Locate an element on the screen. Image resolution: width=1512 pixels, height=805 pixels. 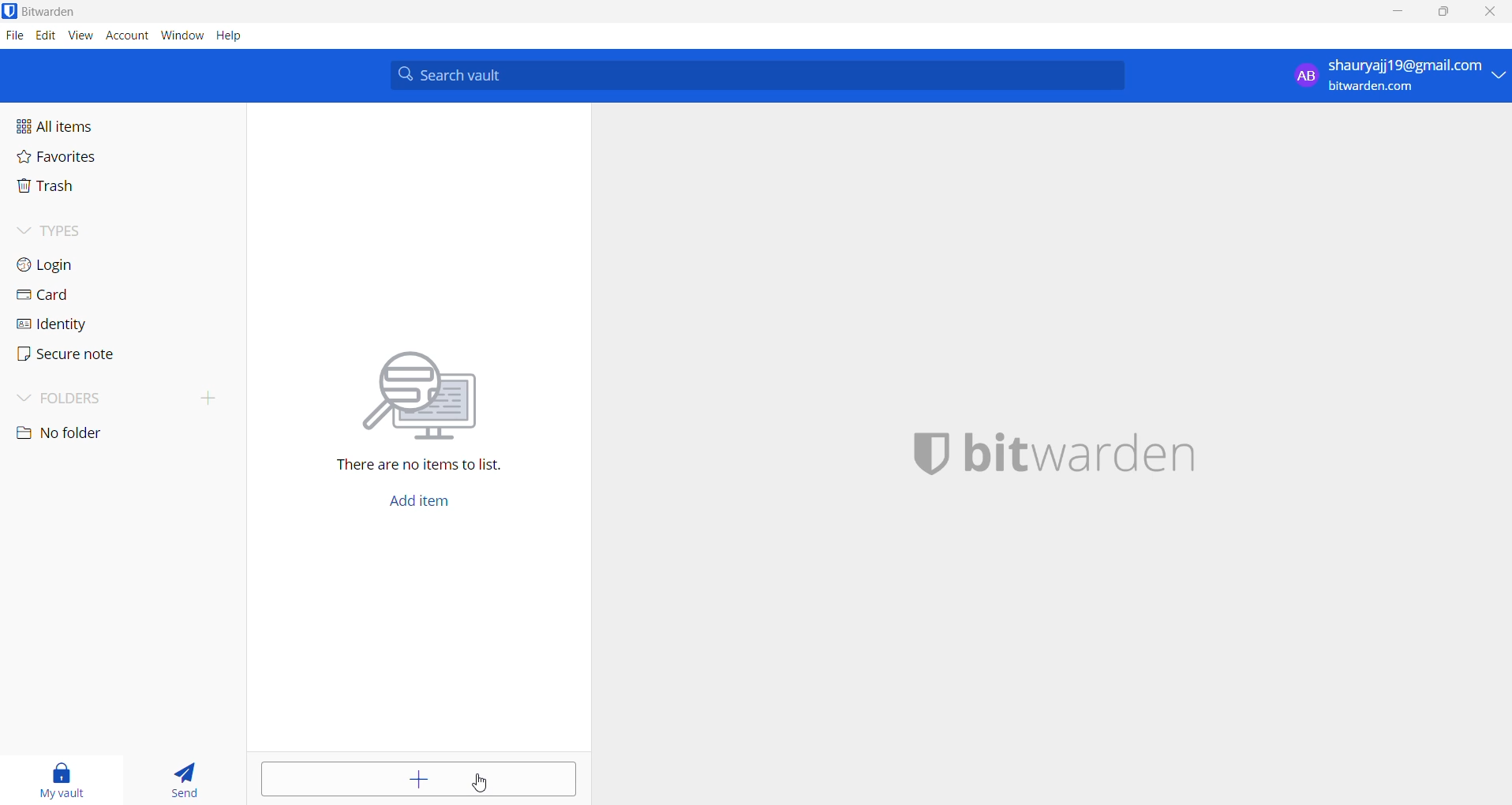
types is located at coordinates (75, 230).